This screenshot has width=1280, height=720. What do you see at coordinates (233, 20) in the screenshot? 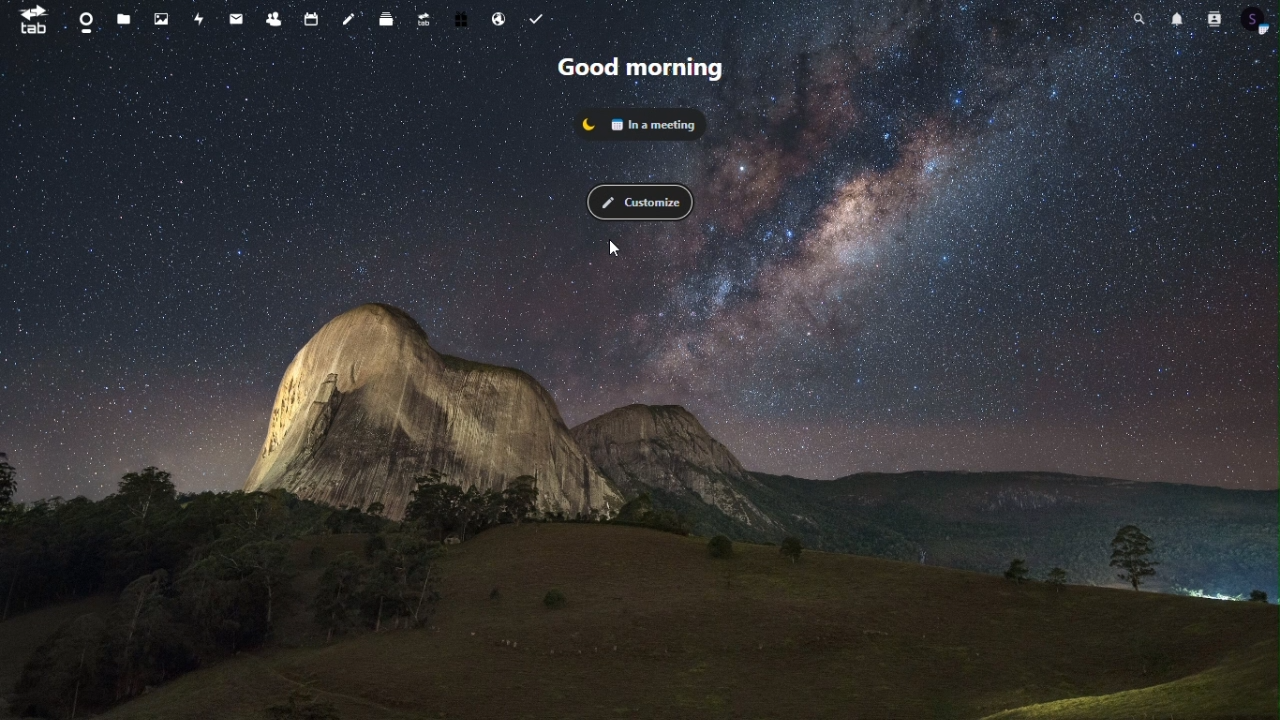
I see `mail` at bounding box center [233, 20].